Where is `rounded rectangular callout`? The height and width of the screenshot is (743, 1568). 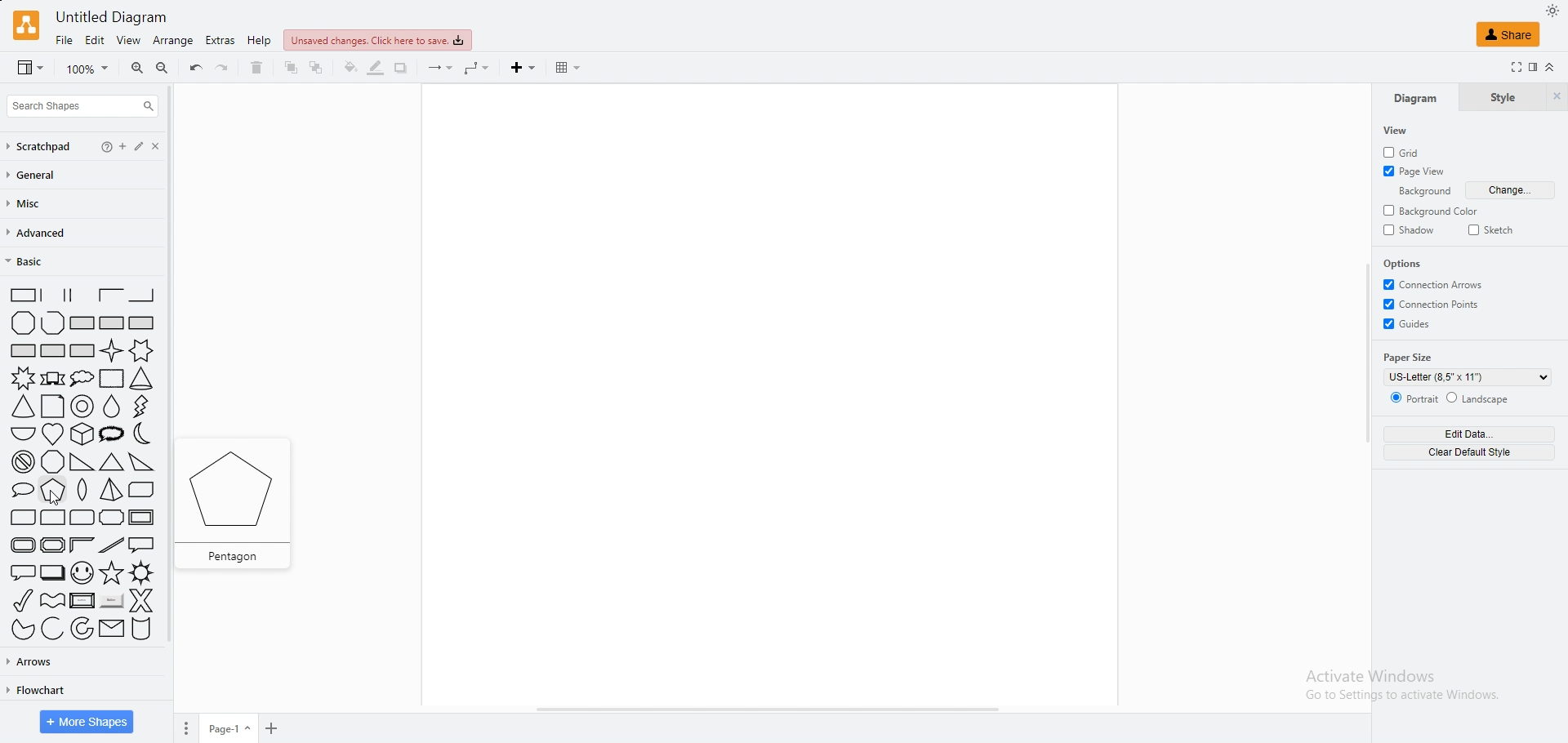 rounded rectangular callout is located at coordinates (20, 571).